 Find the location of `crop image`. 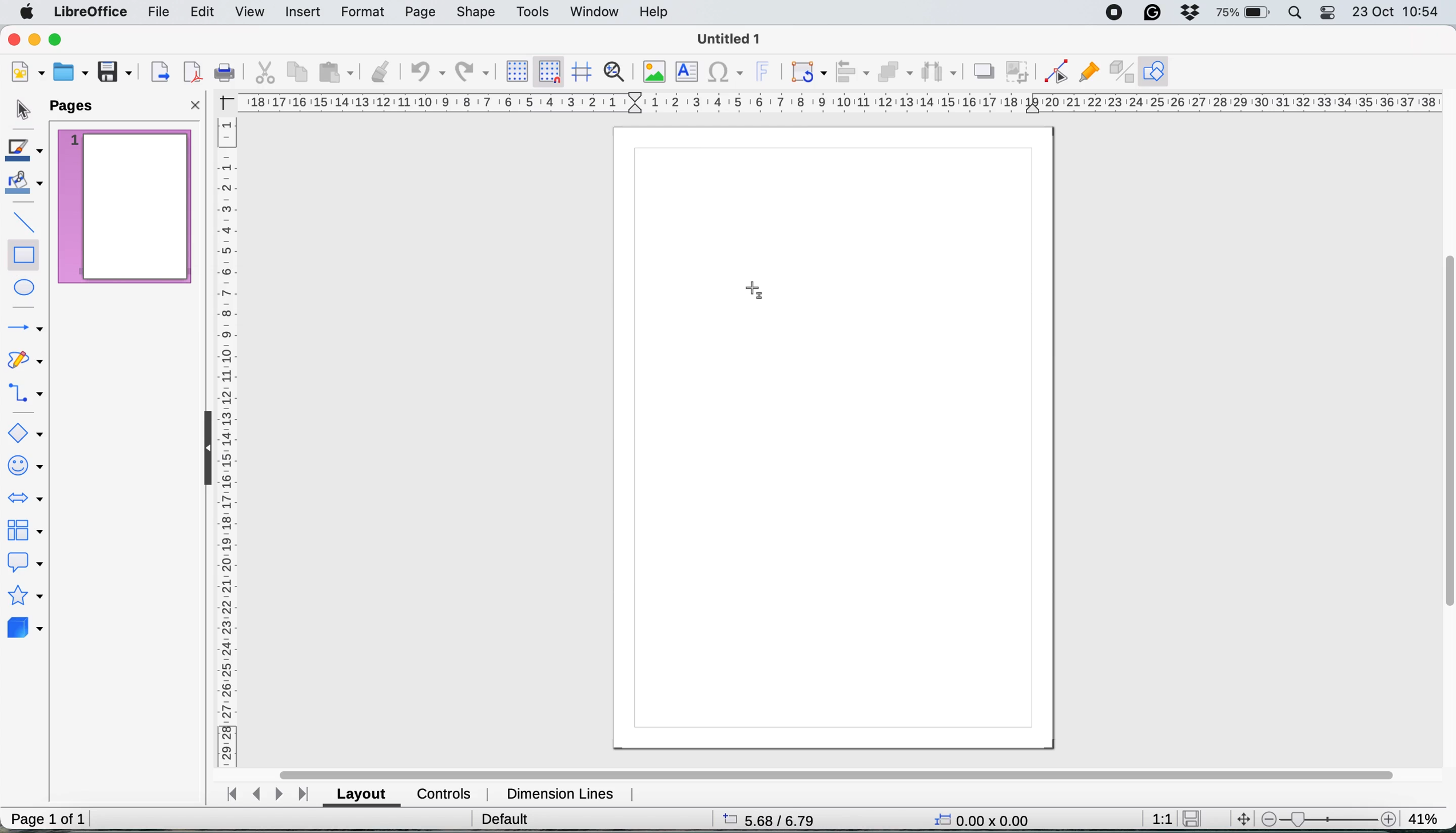

crop image is located at coordinates (1018, 73).